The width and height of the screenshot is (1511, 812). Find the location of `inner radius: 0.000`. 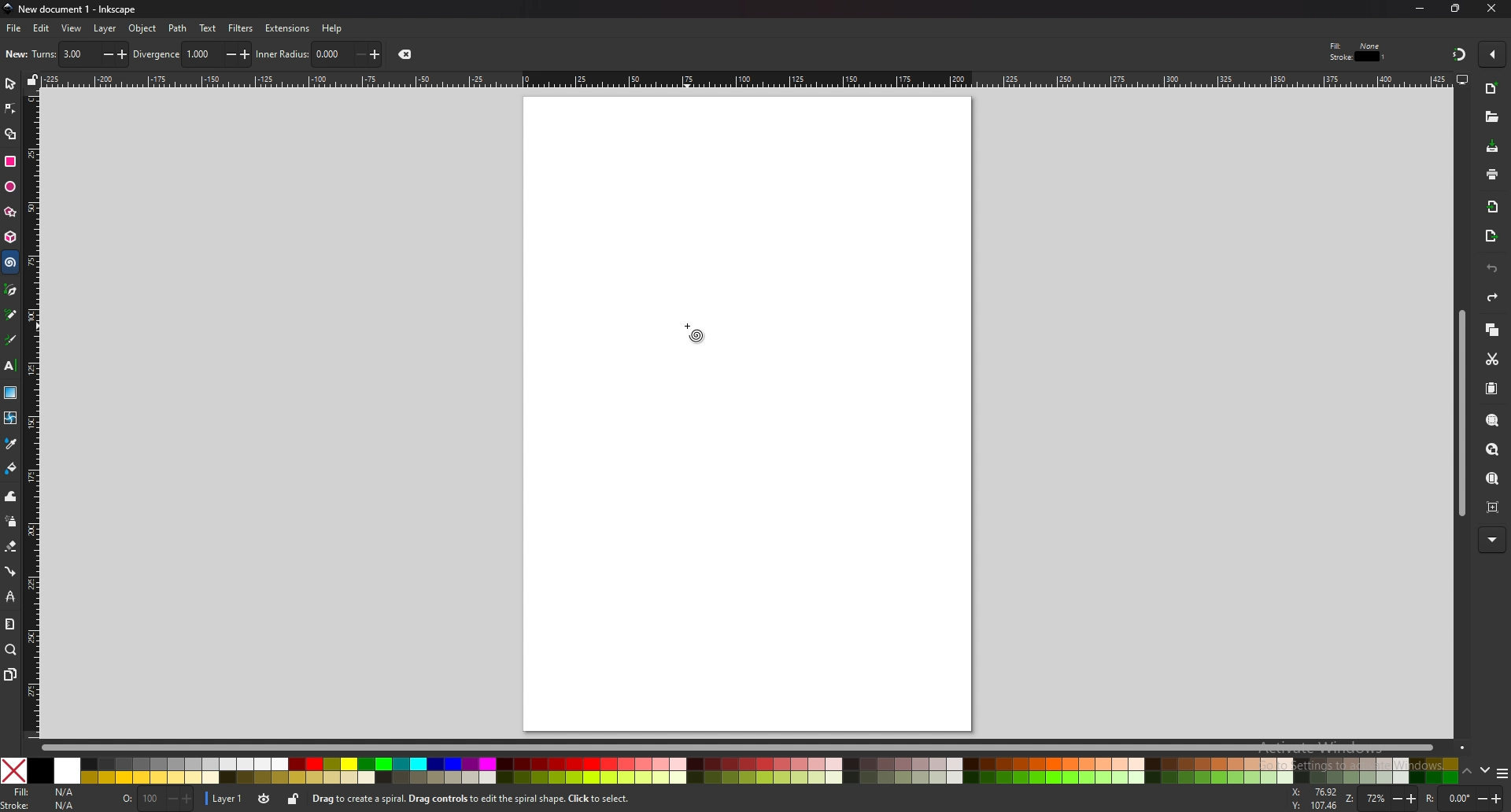

inner radius: 0.000 is located at coordinates (319, 54).